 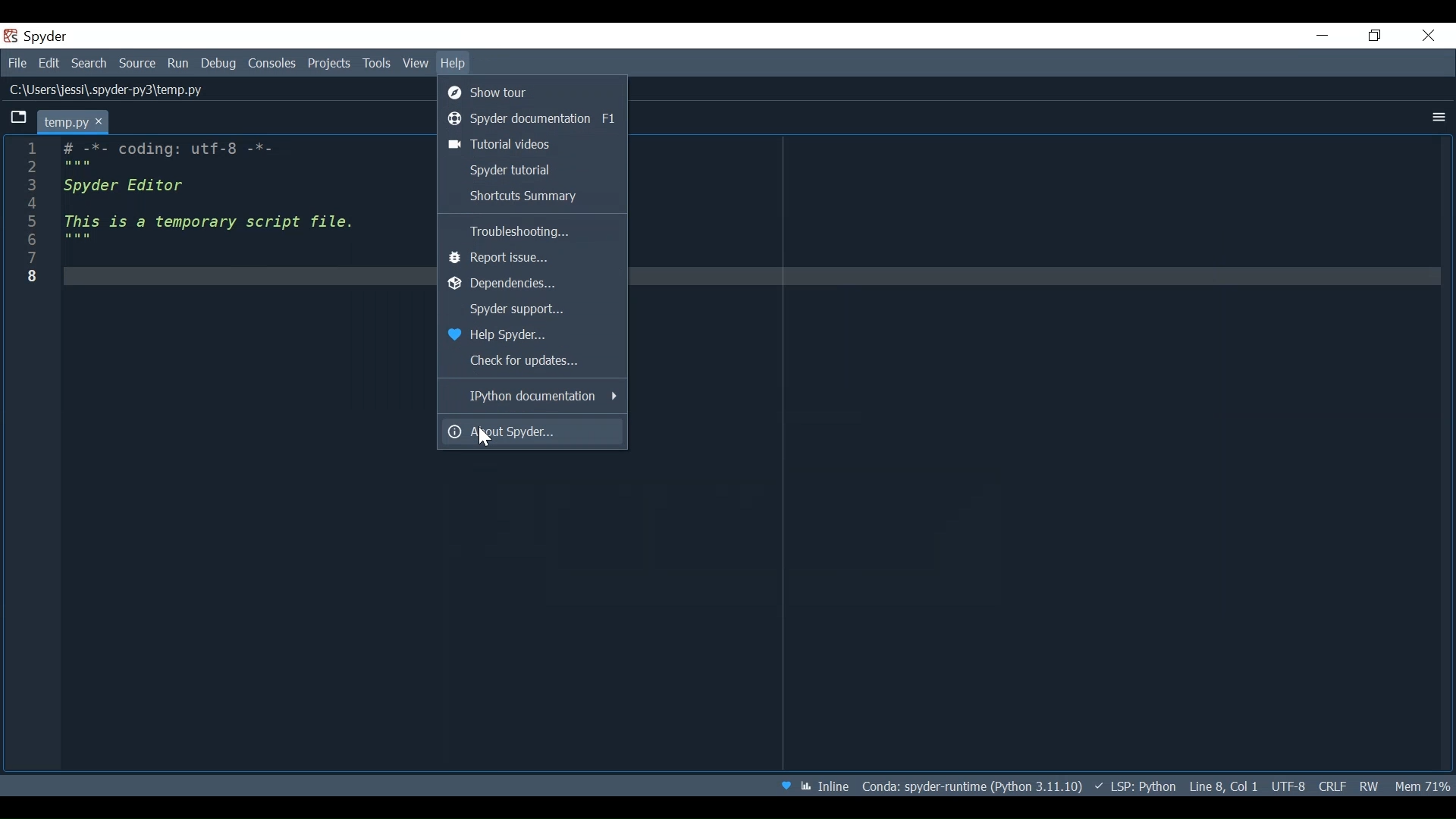 I want to click on Spyder Support, so click(x=533, y=312).